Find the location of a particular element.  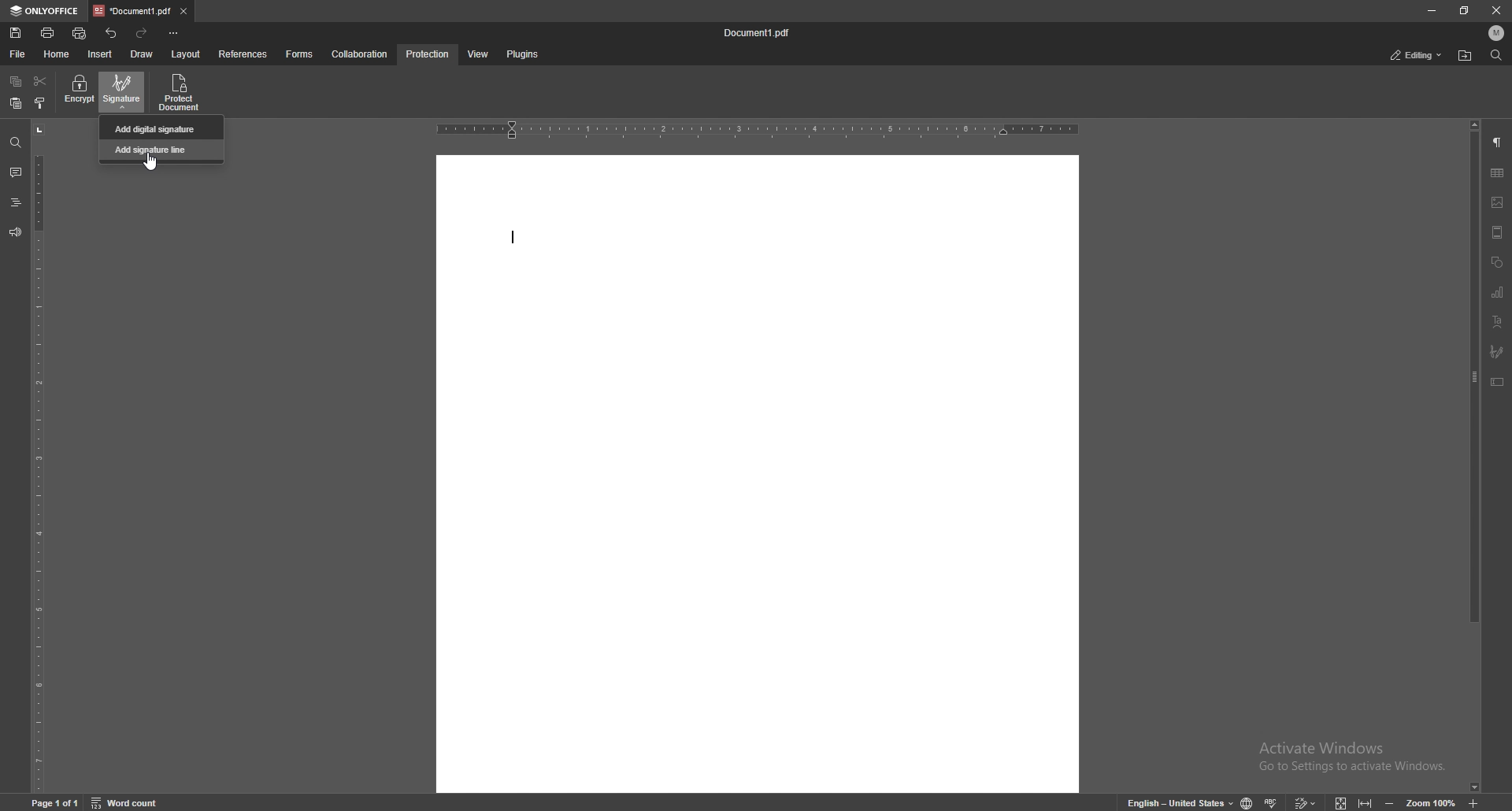

find is located at coordinates (1496, 56).